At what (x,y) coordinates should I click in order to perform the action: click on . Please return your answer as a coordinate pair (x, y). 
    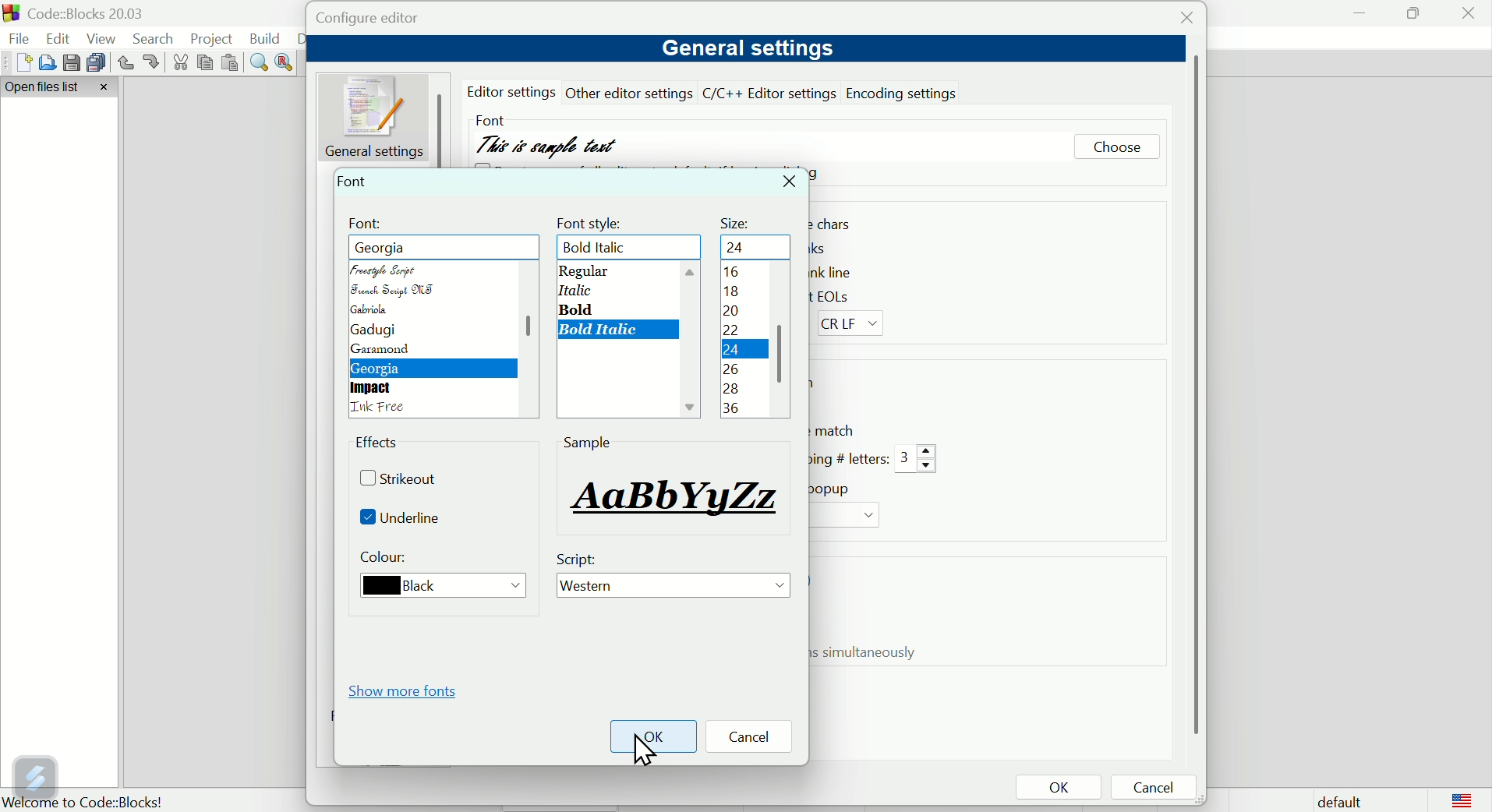
    Looking at the image, I should click on (730, 369).